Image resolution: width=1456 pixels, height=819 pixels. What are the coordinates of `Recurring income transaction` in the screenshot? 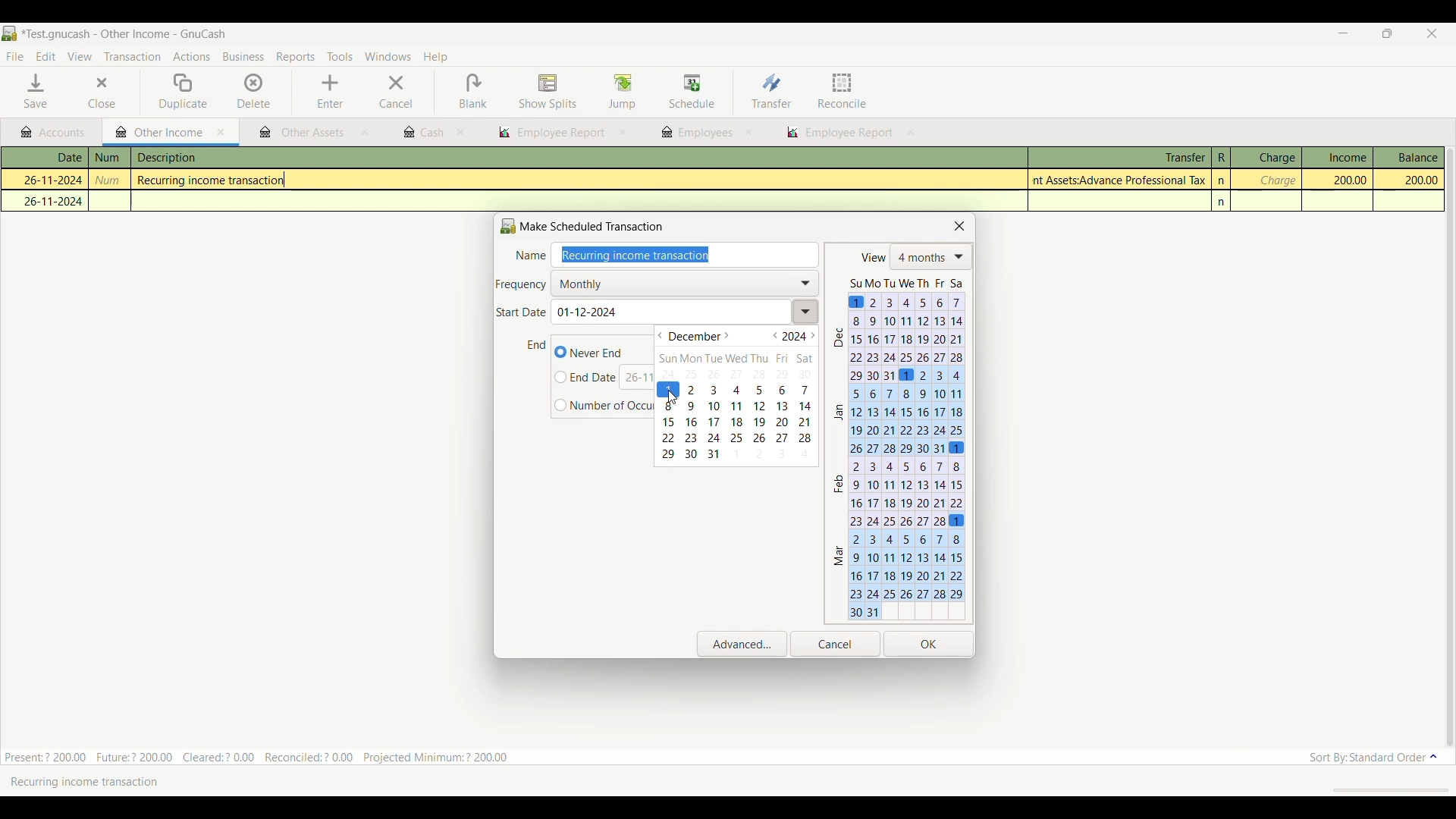 It's located at (95, 782).